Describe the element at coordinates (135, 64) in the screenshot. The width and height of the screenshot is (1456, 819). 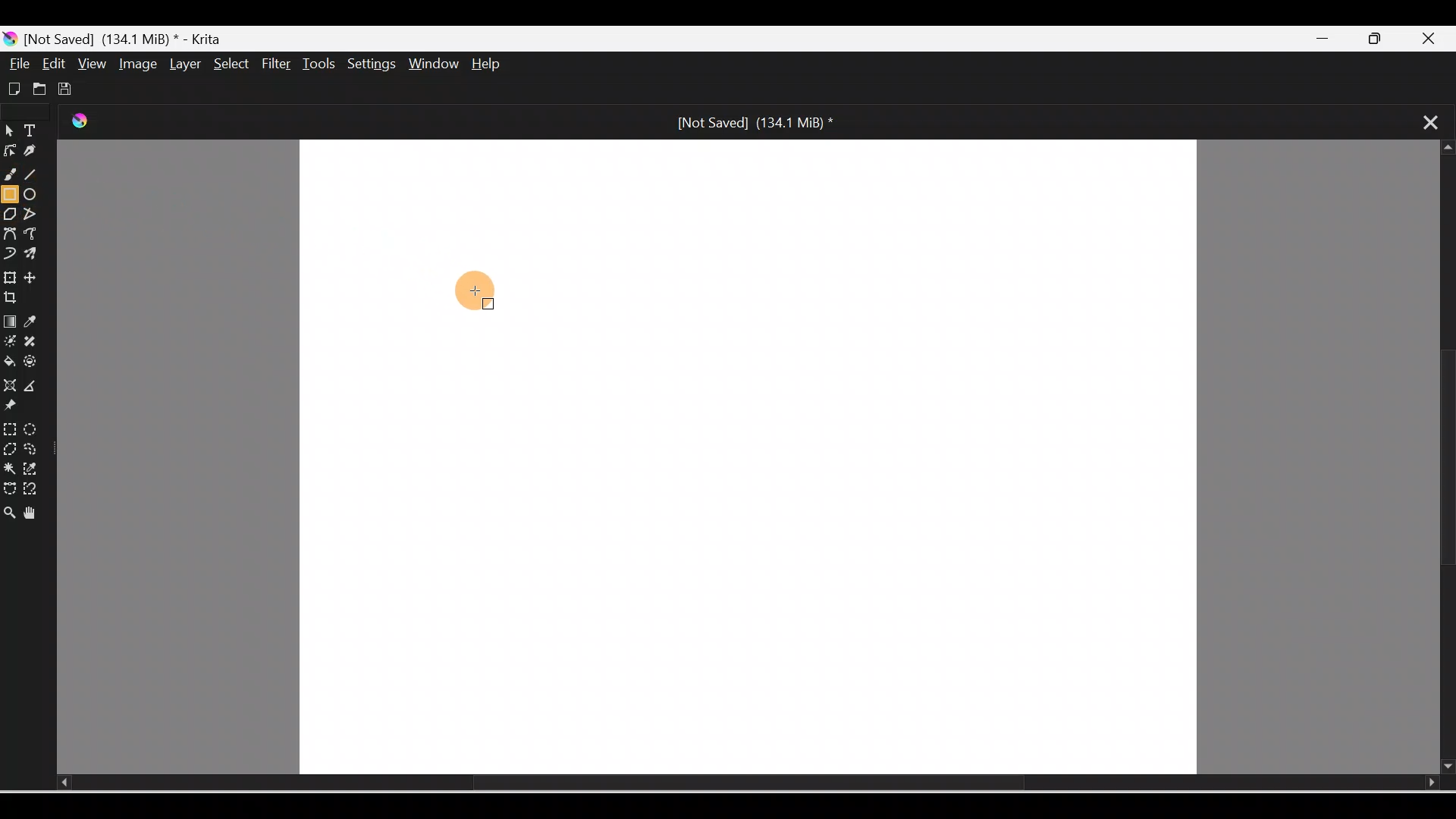
I see `Image` at that location.